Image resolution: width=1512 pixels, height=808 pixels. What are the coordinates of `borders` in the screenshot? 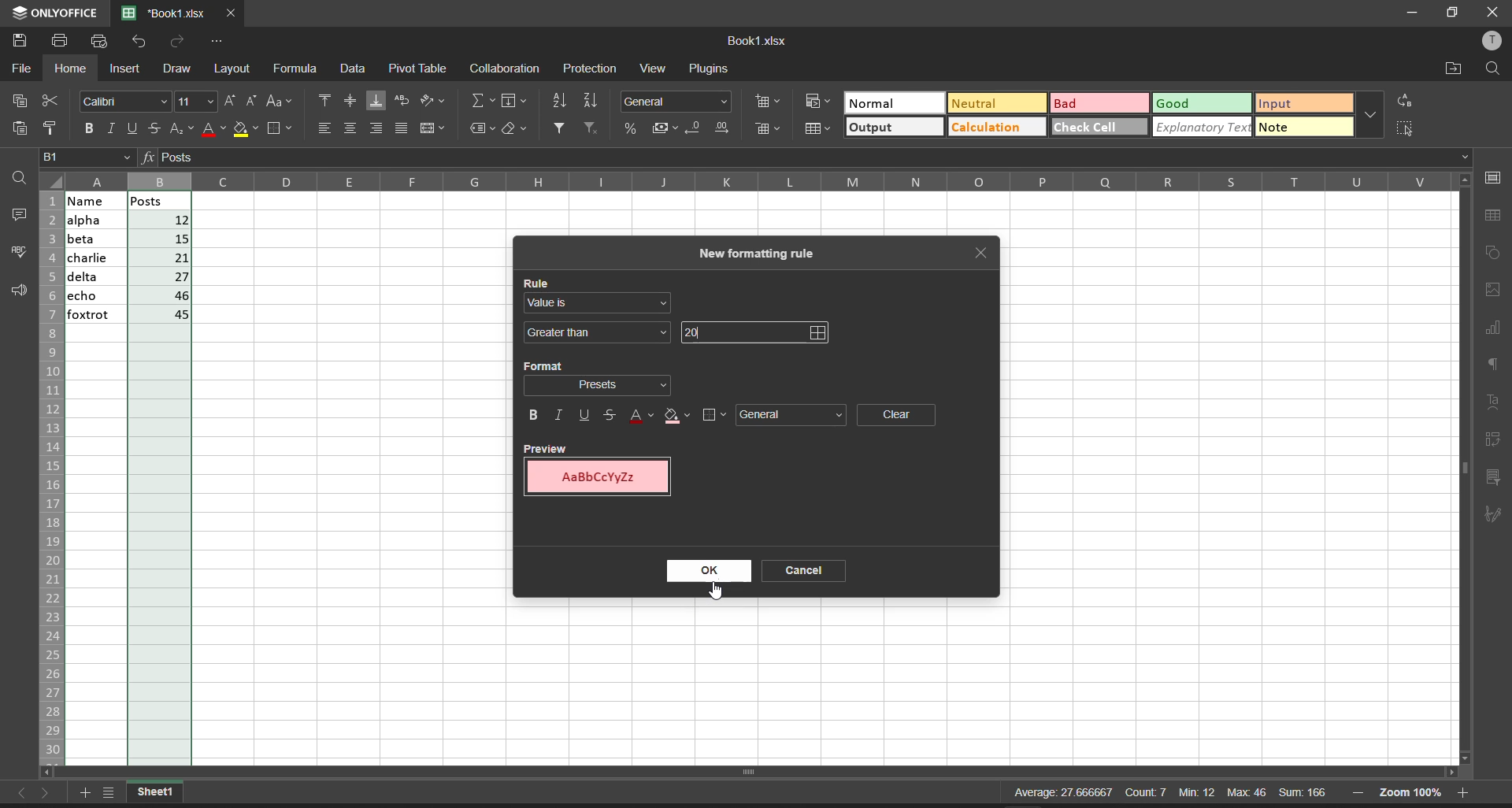 It's located at (280, 130).